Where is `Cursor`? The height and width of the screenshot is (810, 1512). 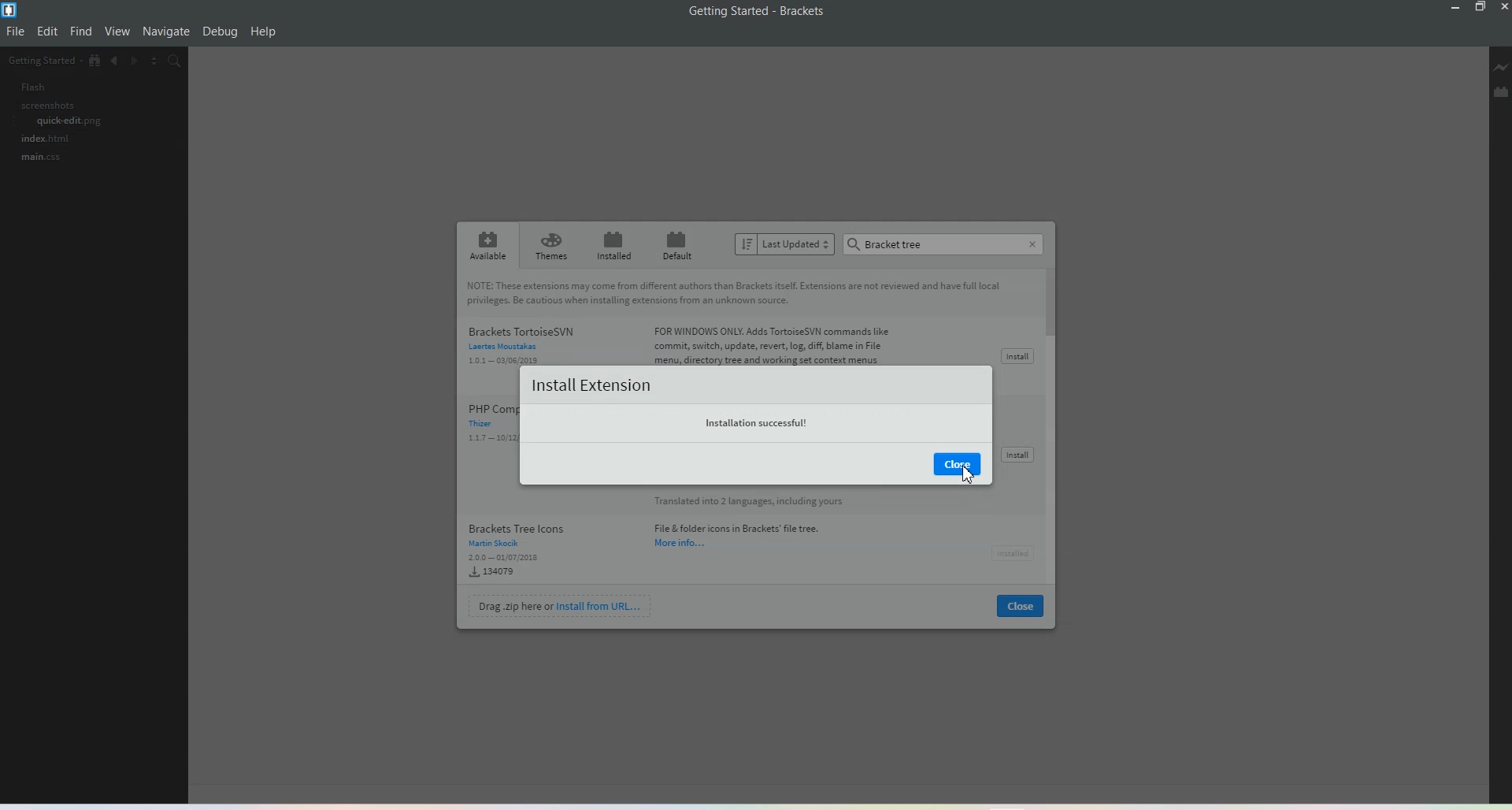
Cursor is located at coordinates (965, 474).